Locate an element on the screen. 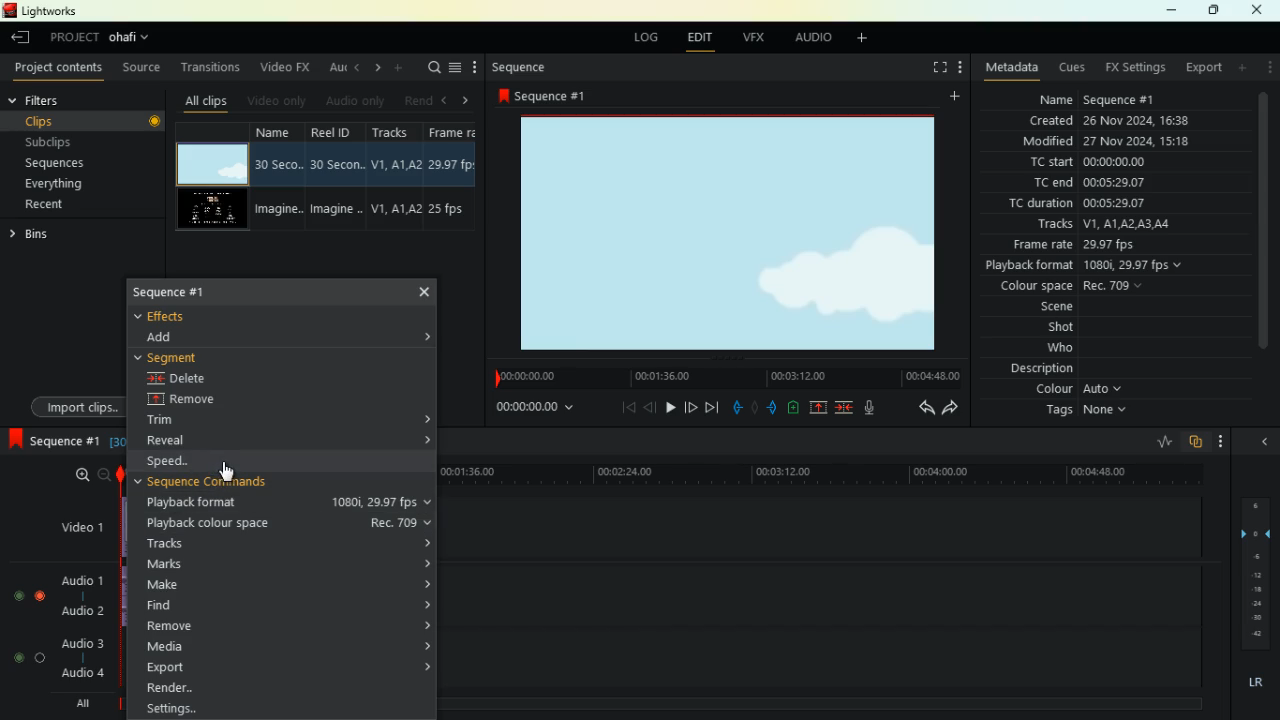  created is located at coordinates (1111, 120).